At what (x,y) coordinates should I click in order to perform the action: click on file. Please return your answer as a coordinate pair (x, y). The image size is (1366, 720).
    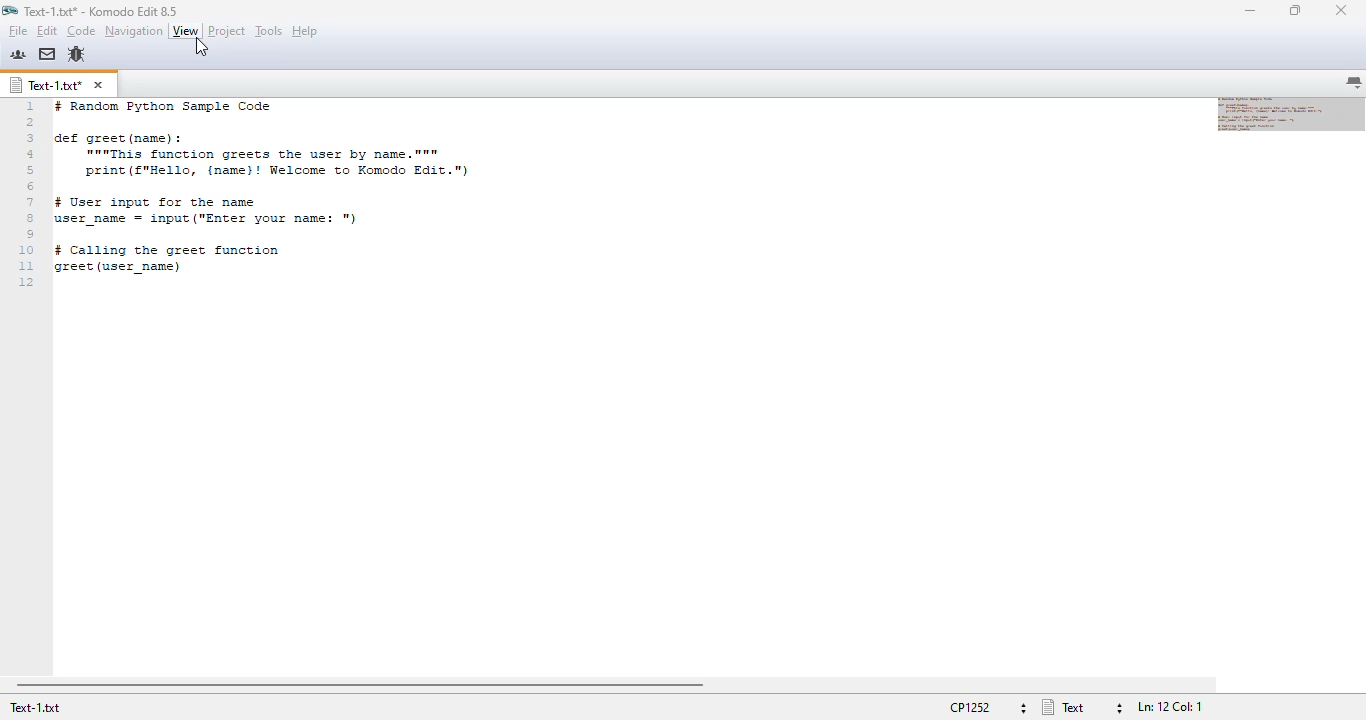
    Looking at the image, I should click on (18, 31).